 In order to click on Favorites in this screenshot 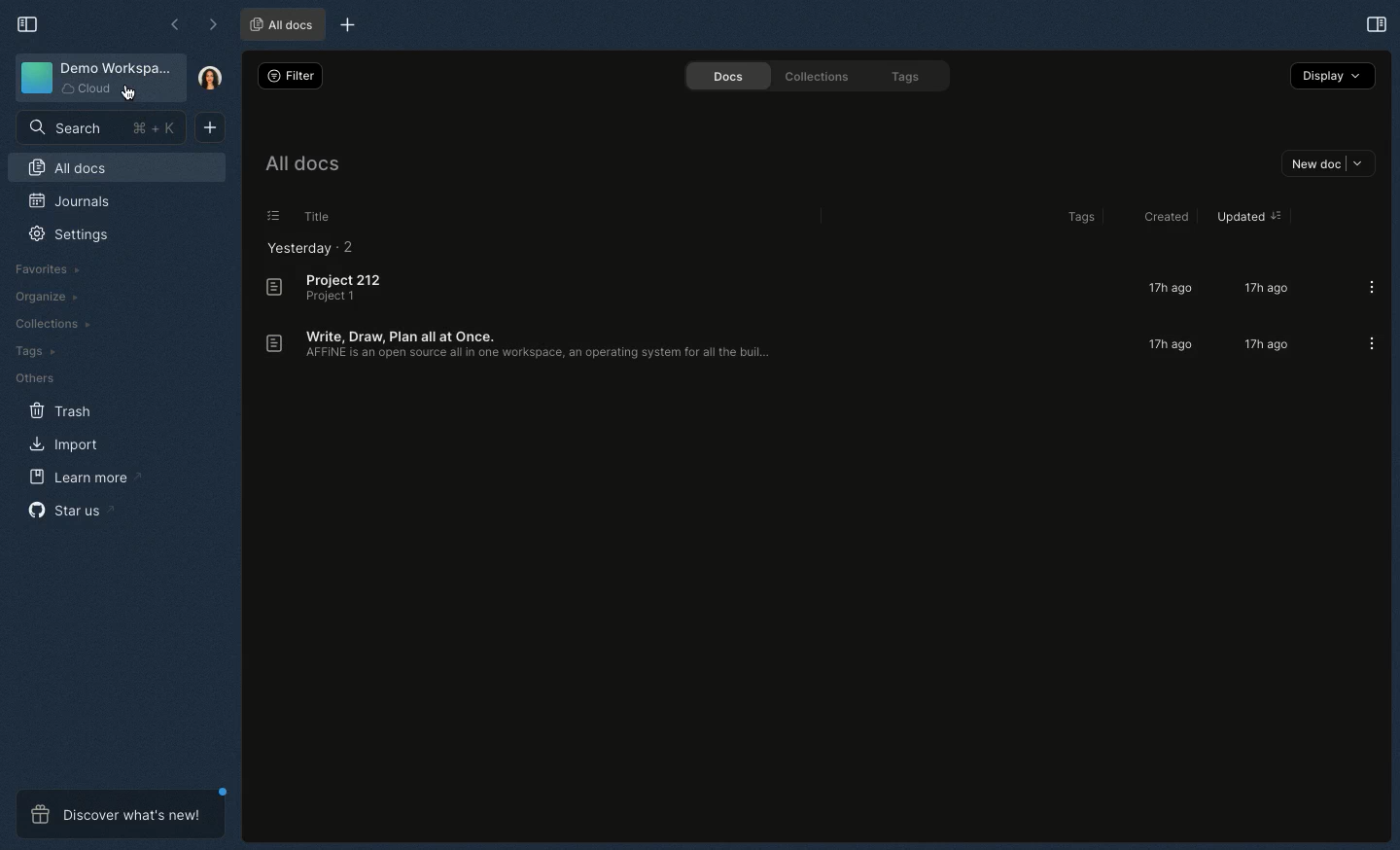, I will do `click(52, 266)`.